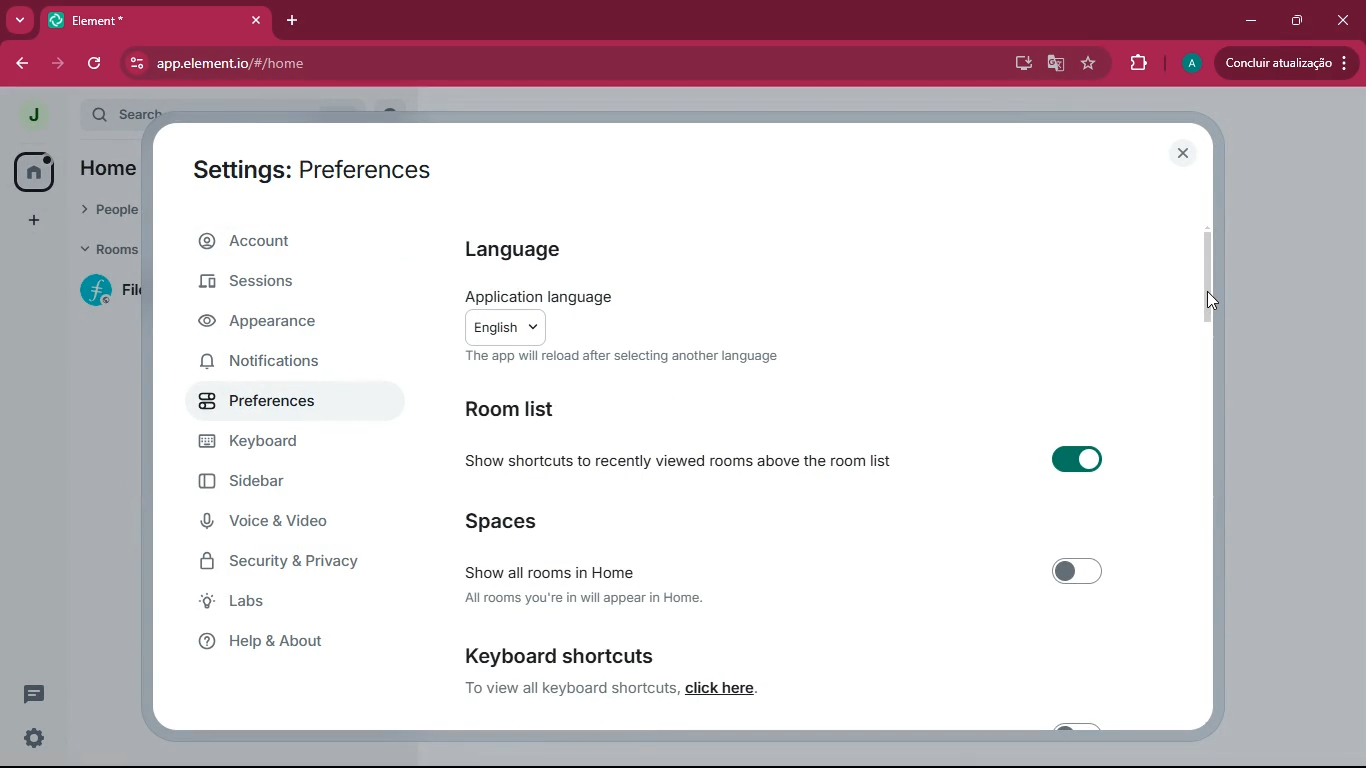 This screenshot has height=768, width=1366. Describe the element at coordinates (302, 602) in the screenshot. I see `labs` at that location.